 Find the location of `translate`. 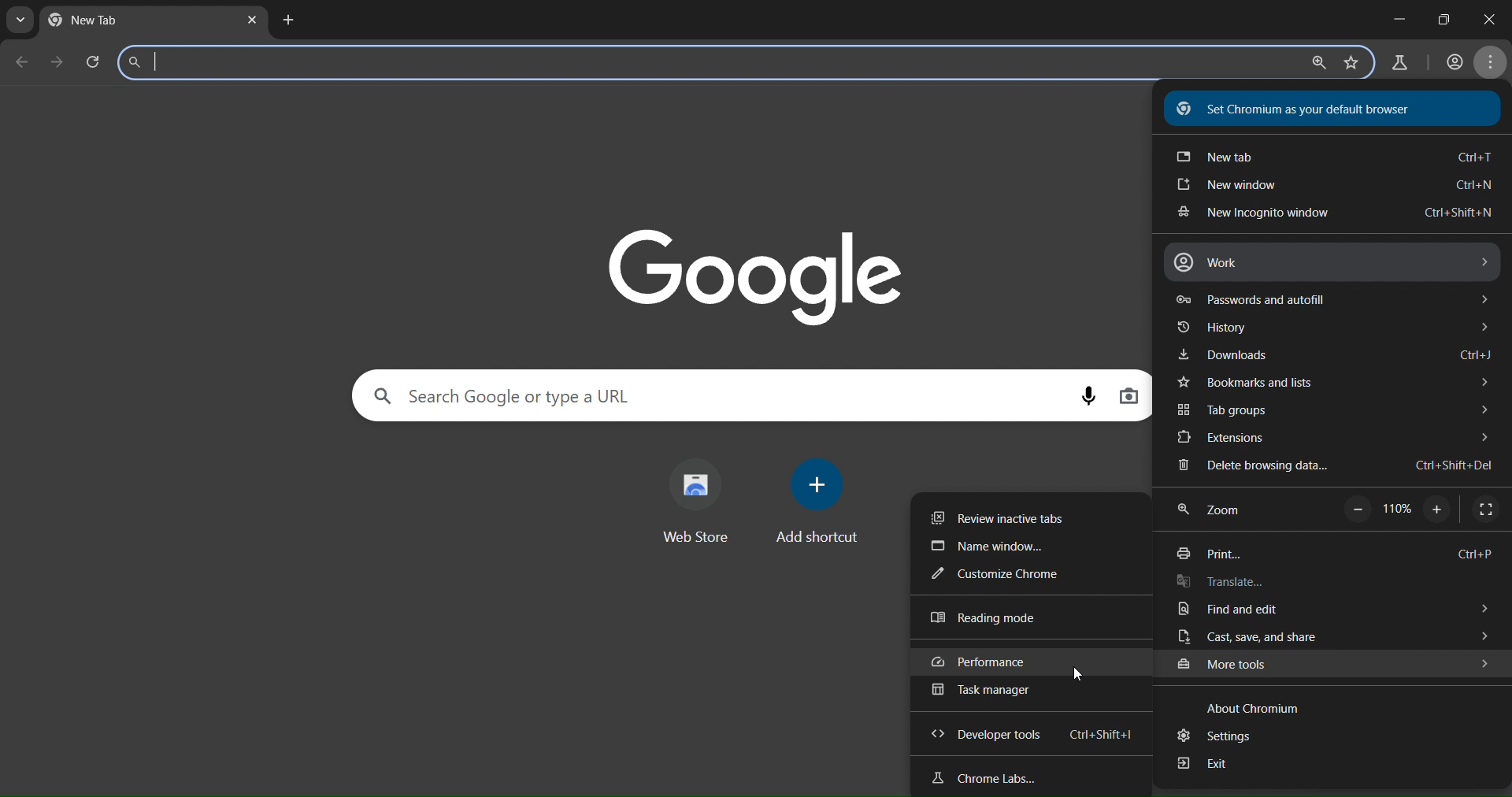

translate is located at coordinates (1223, 583).